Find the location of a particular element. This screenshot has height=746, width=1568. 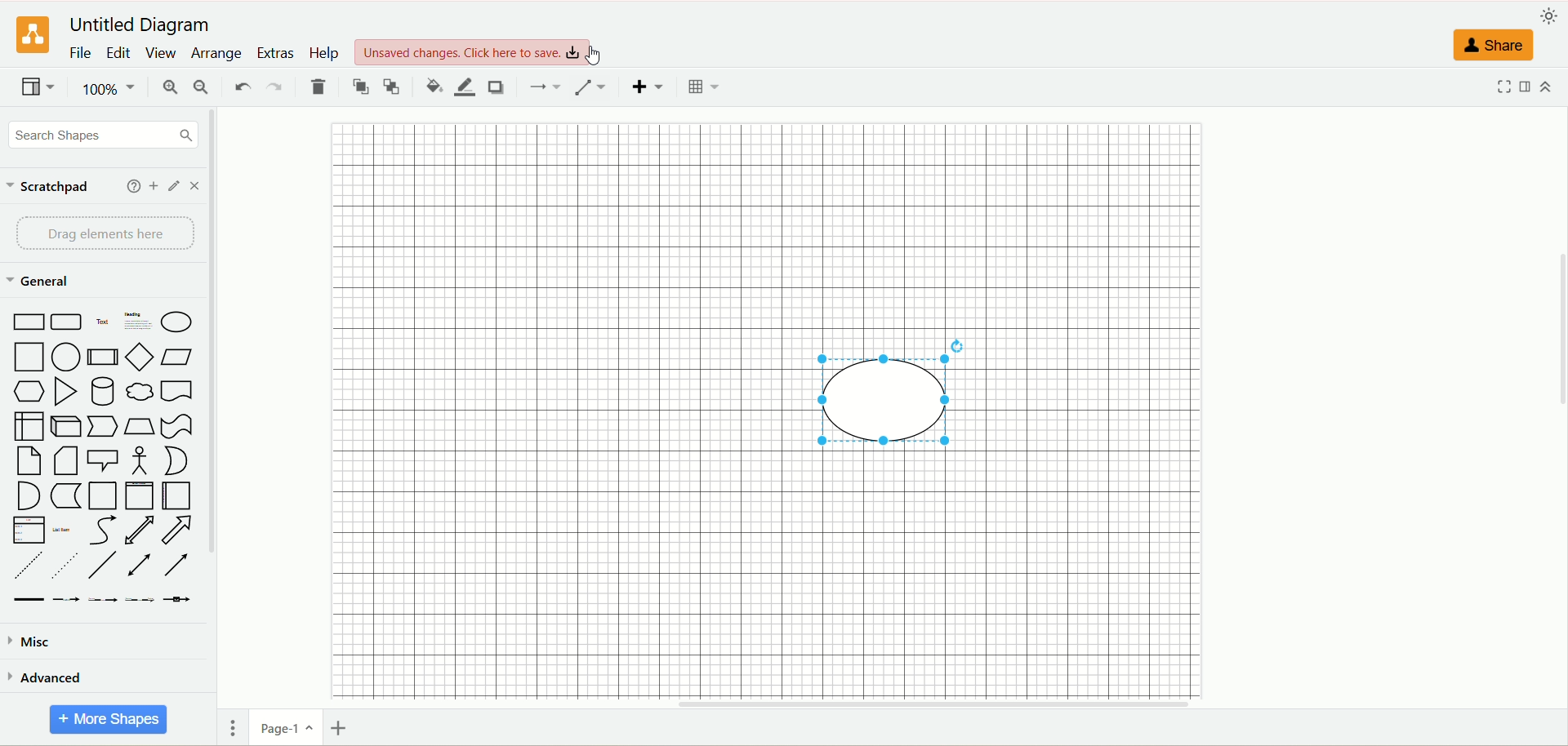

cursor is located at coordinates (599, 57).